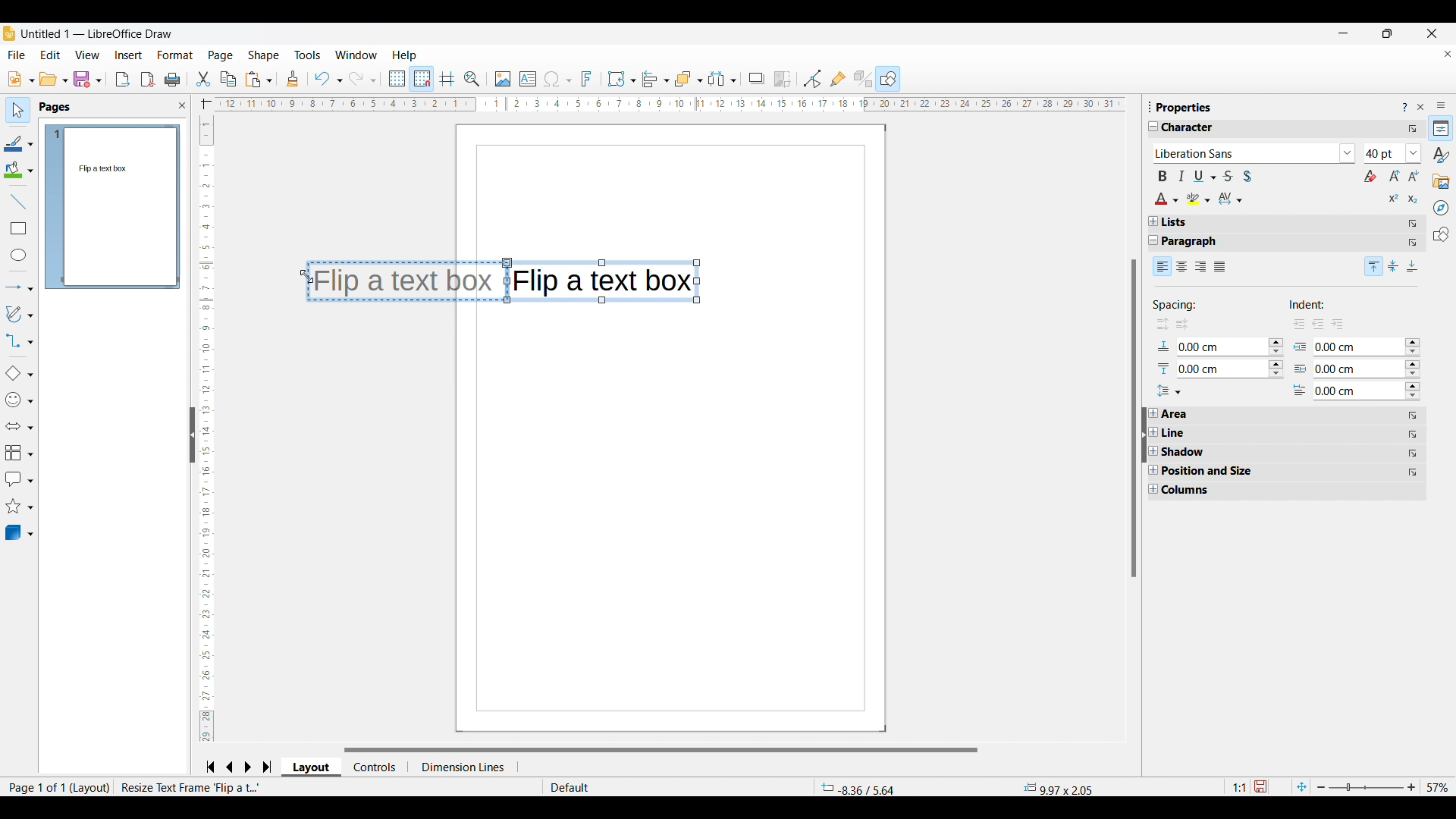 This screenshot has height=819, width=1456. I want to click on Go to previous slide, so click(230, 767).